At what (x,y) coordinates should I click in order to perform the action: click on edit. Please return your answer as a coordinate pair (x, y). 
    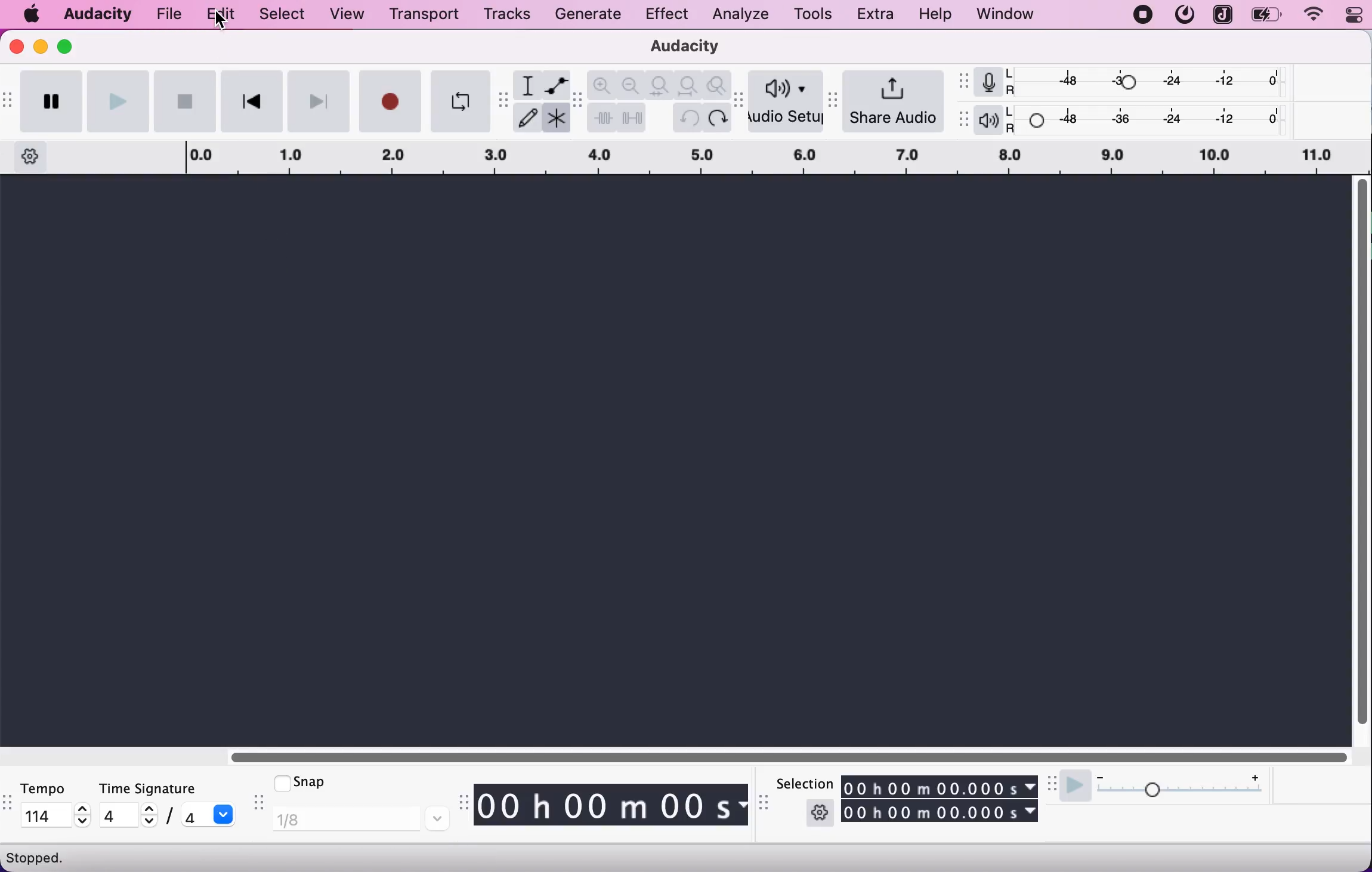
    Looking at the image, I should click on (218, 16).